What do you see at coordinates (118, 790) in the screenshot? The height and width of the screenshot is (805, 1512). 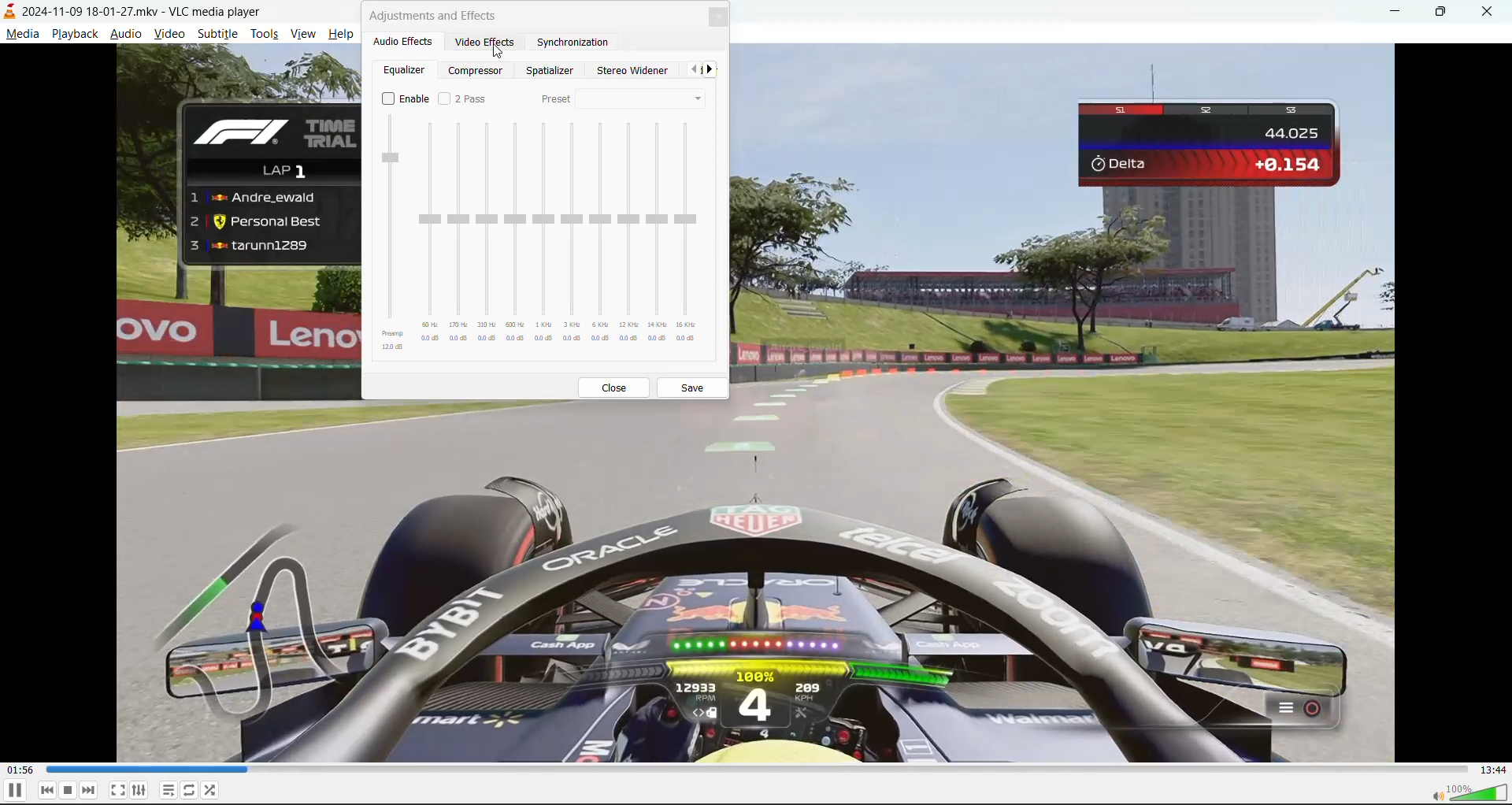 I see `fullscreen` at bounding box center [118, 790].